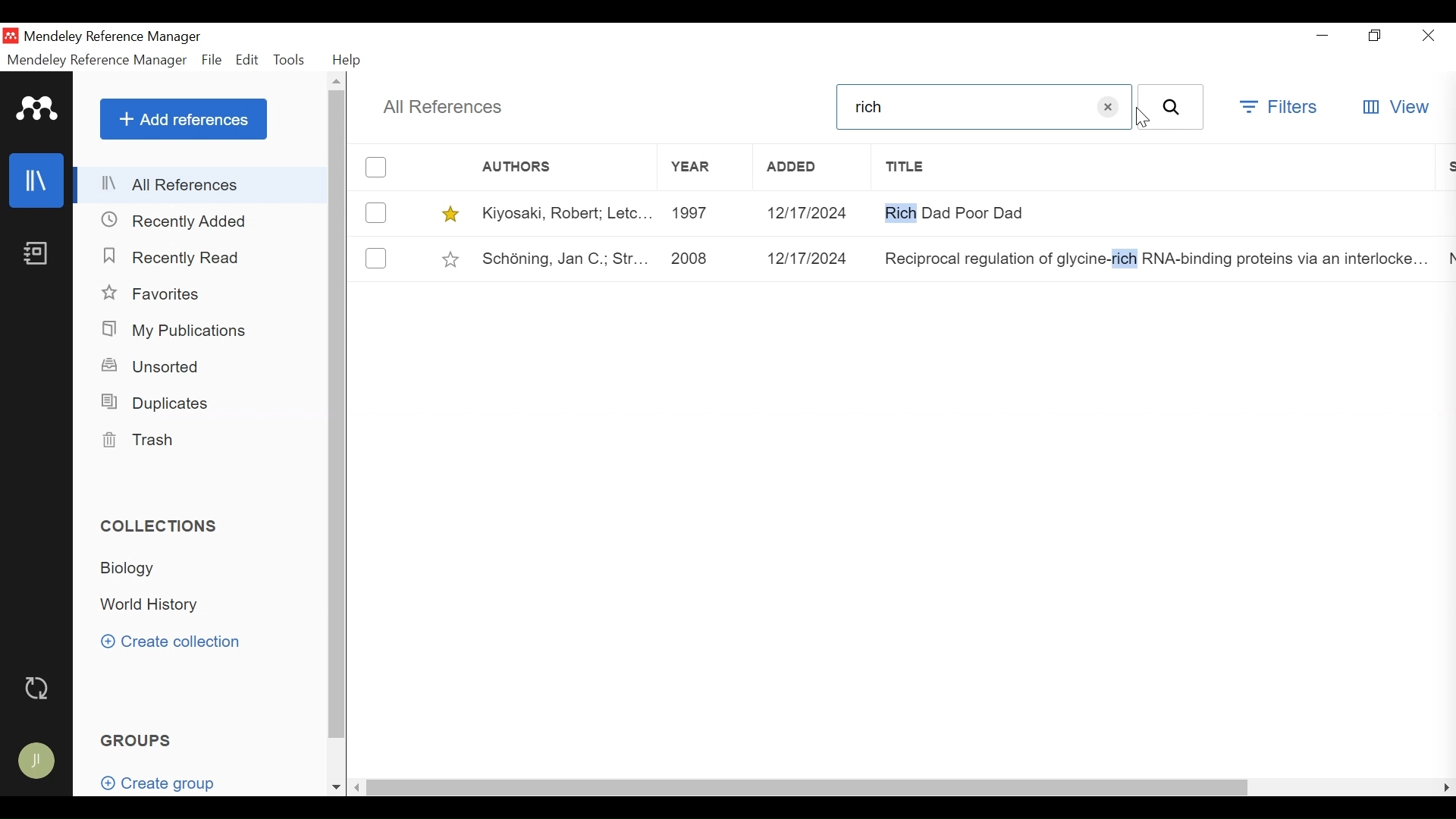  Describe the element at coordinates (158, 526) in the screenshot. I see `Collections` at that location.